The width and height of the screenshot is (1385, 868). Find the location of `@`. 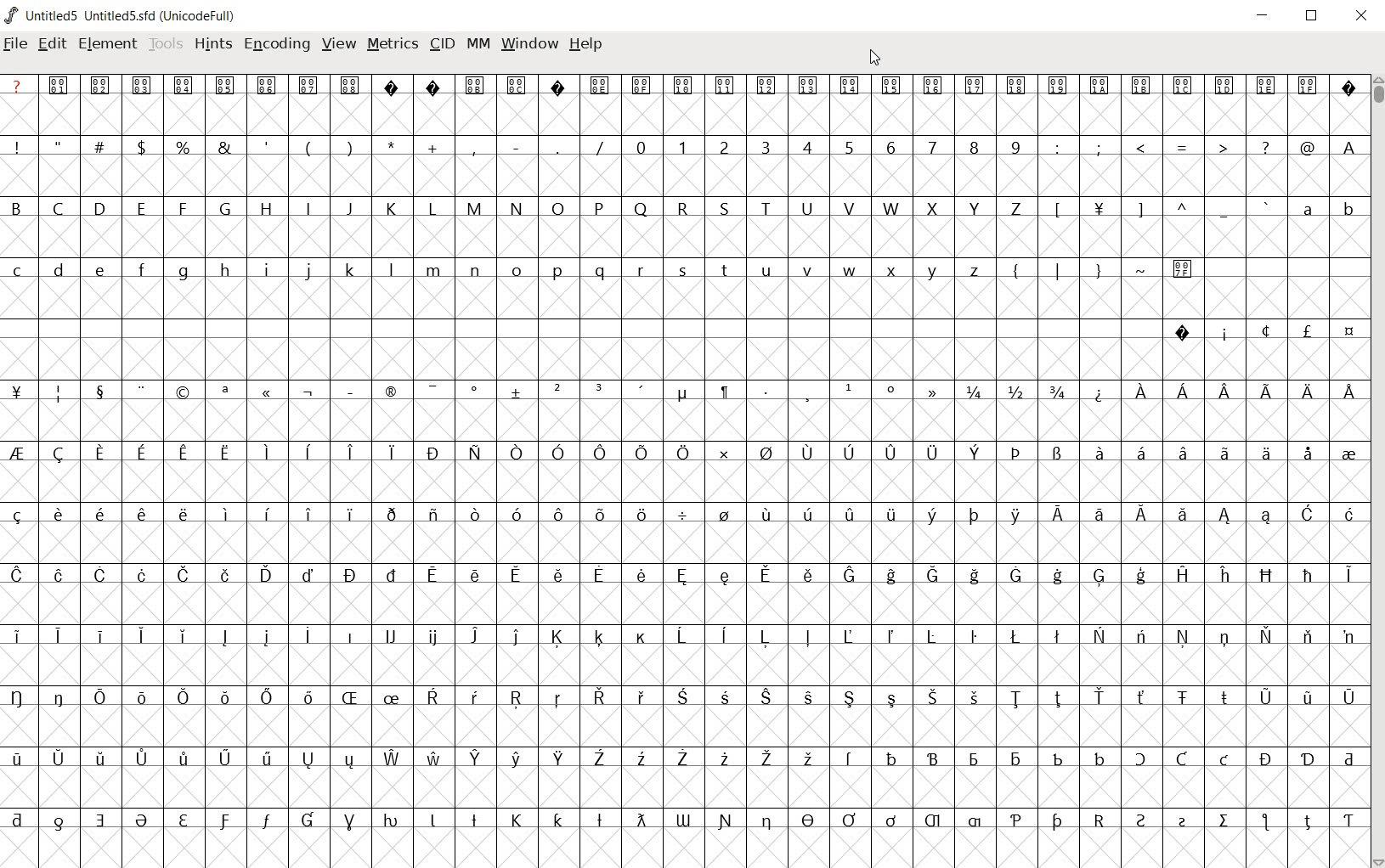

@ is located at coordinates (1307, 146).